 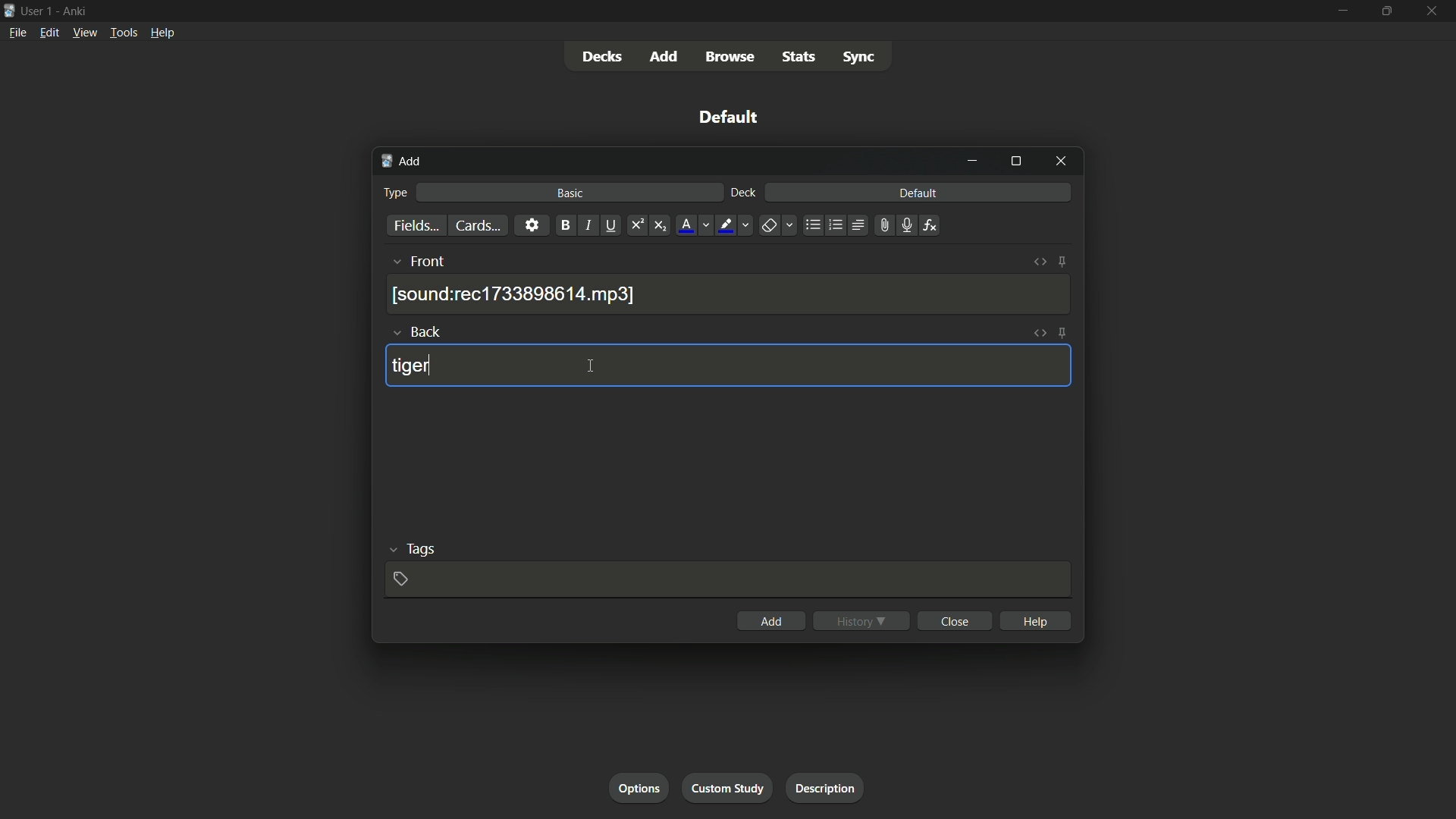 What do you see at coordinates (563, 225) in the screenshot?
I see `bold` at bounding box center [563, 225].